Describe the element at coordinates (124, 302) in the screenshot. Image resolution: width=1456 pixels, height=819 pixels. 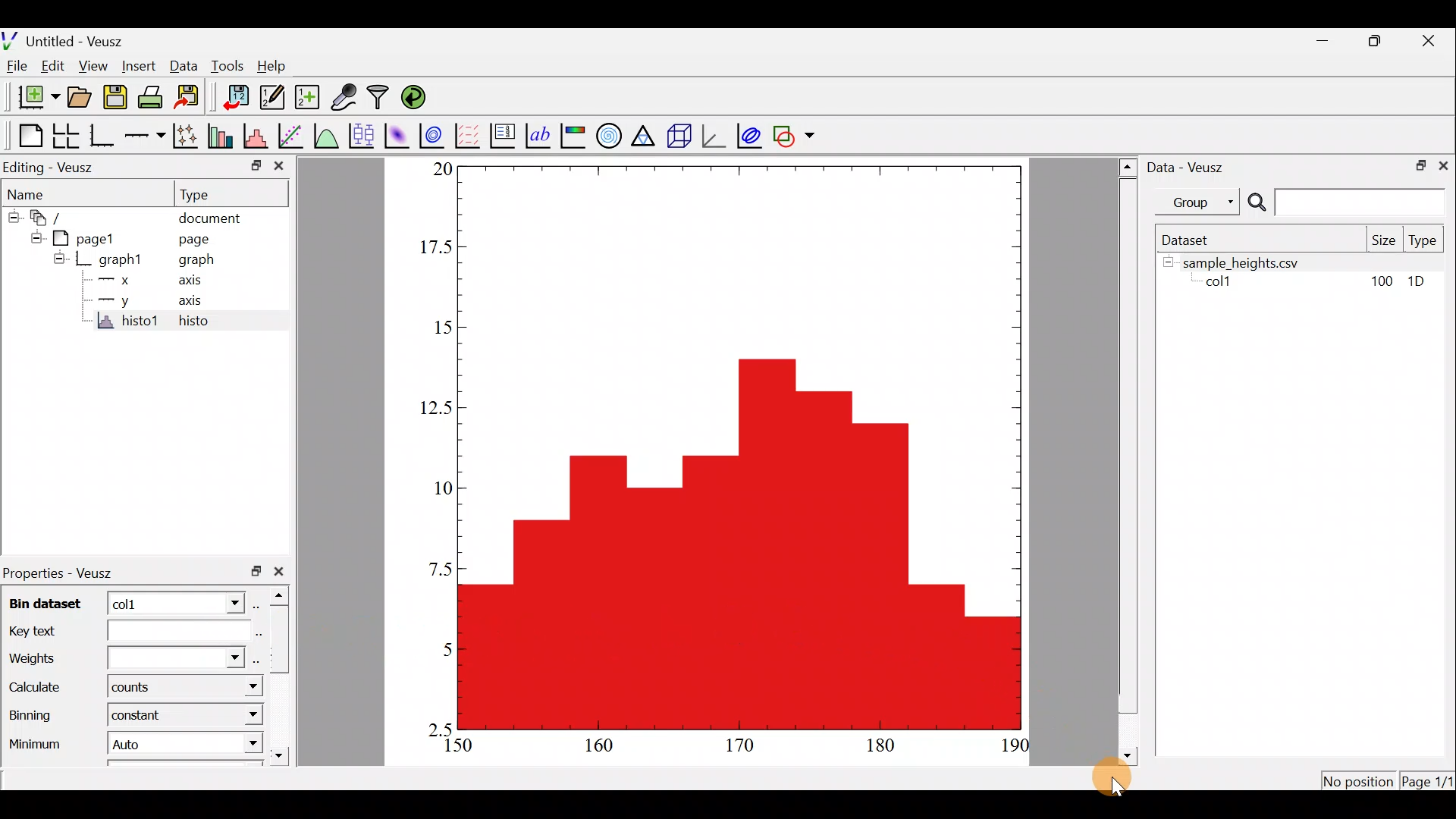
I see `y` at that location.